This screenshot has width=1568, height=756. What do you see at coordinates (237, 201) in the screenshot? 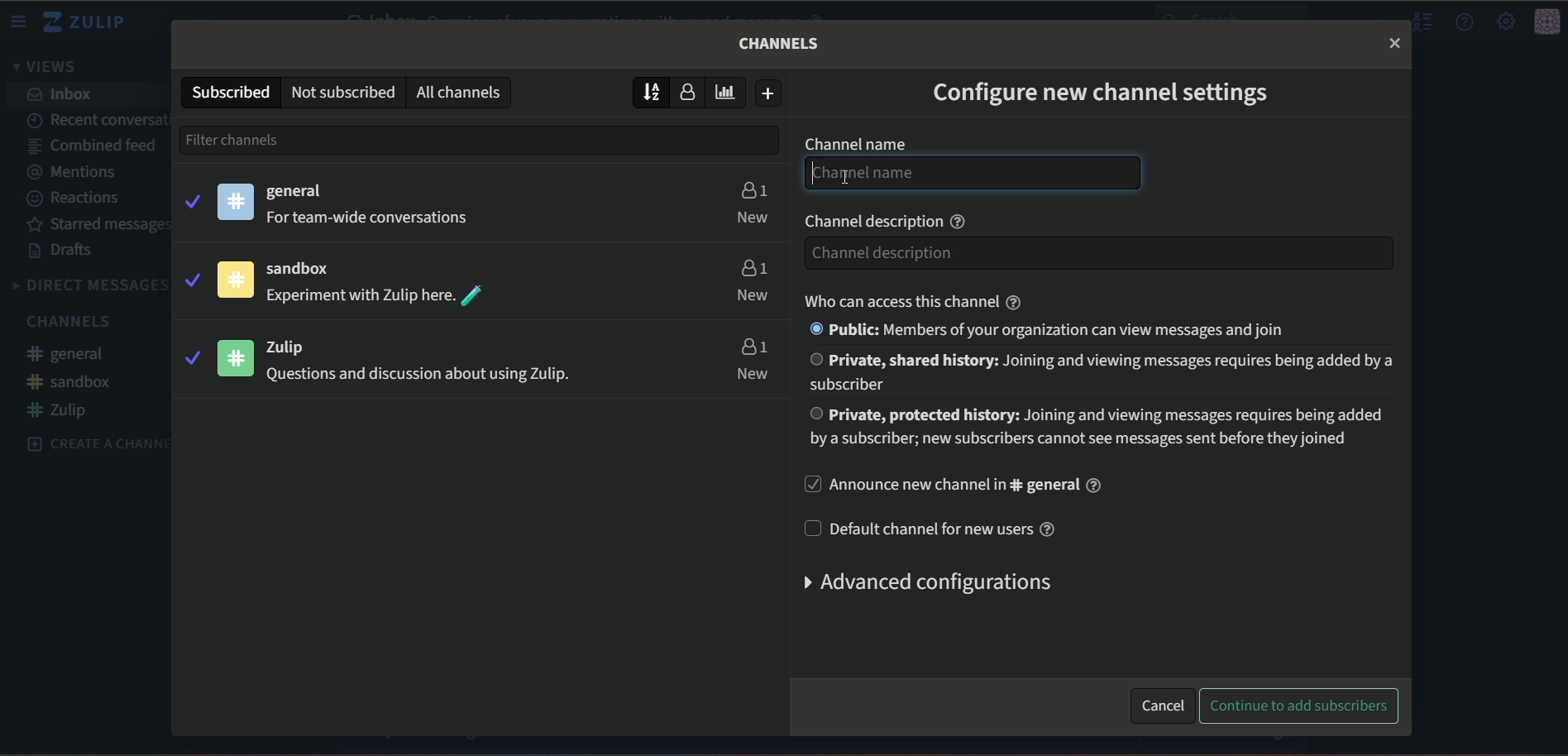
I see `icon` at bounding box center [237, 201].